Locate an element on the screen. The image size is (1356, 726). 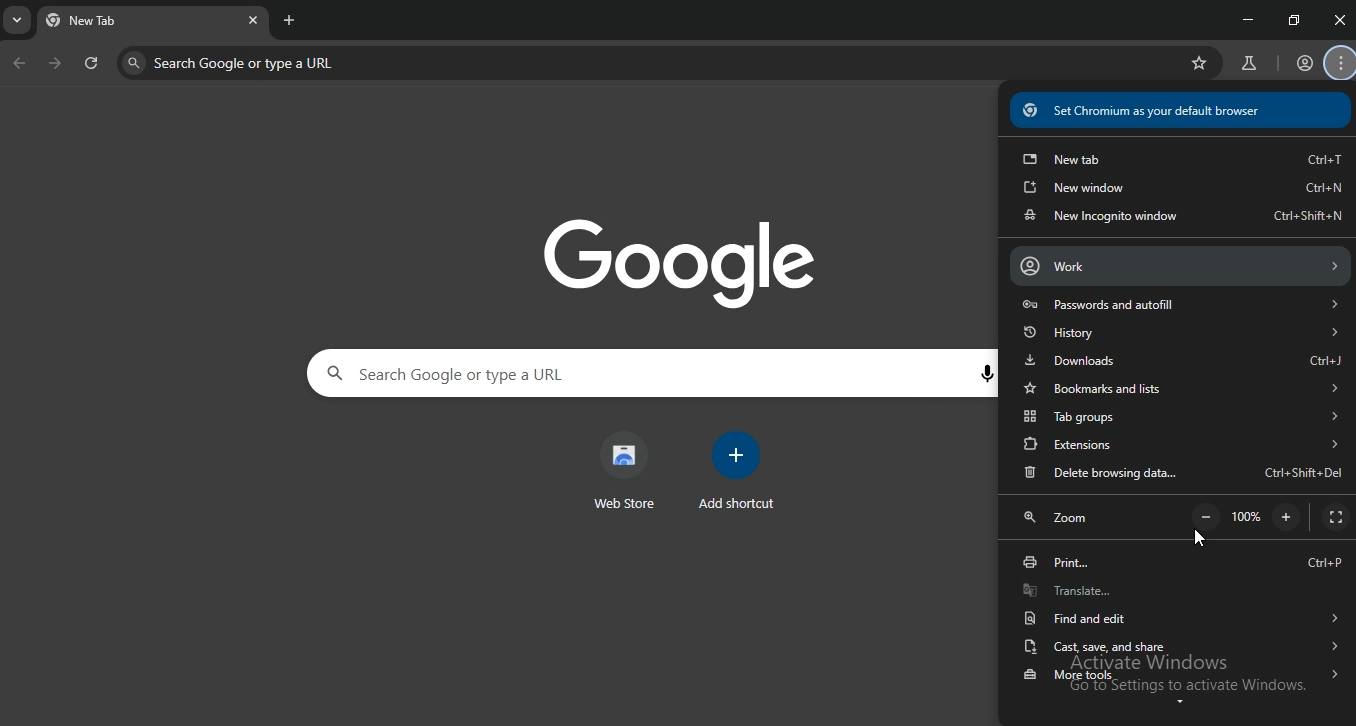
google is located at coordinates (692, 261).